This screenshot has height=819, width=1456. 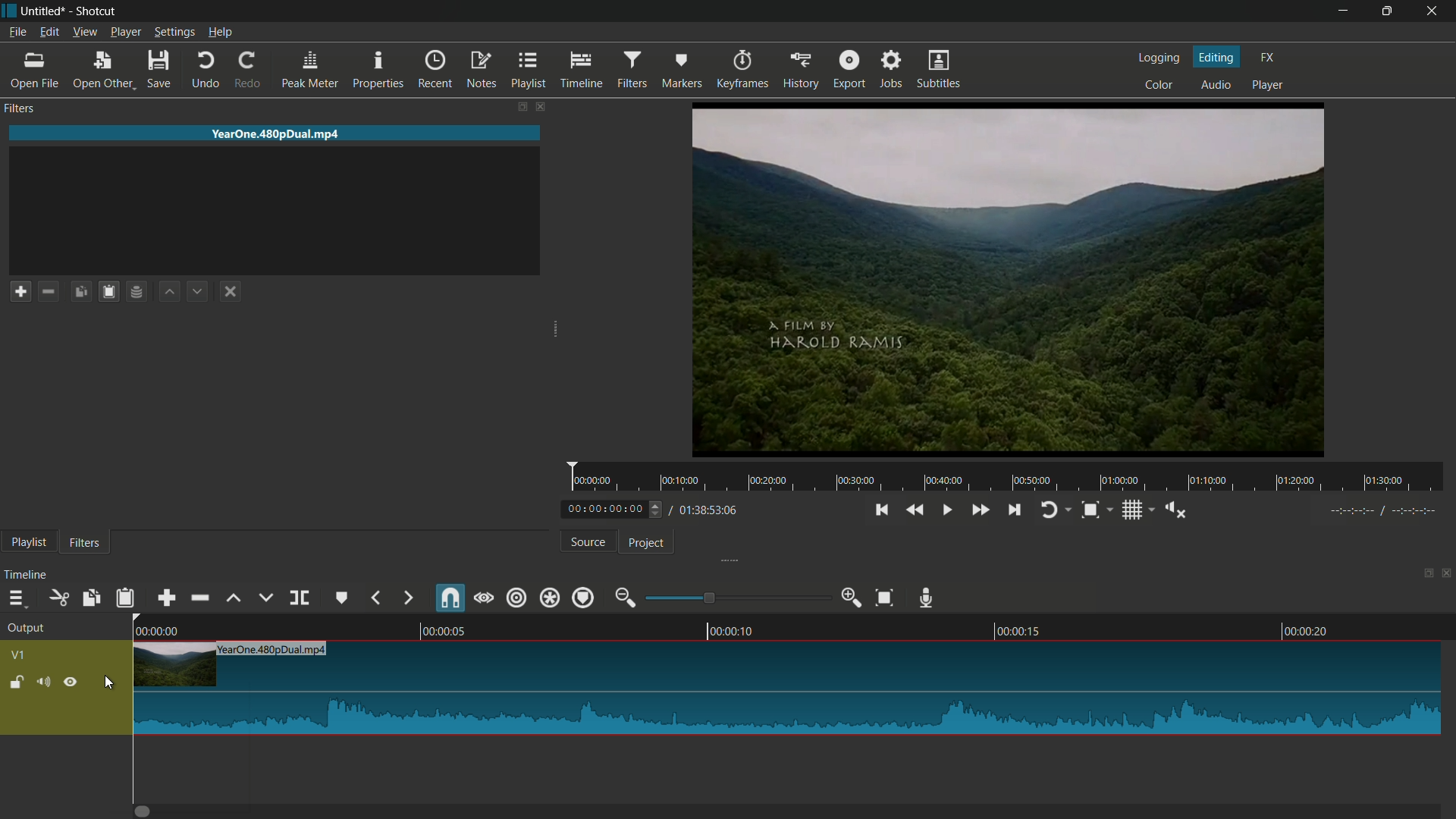 What do you see at coordinates (543, 106) in the screenshot?
I see `close filters` at bounding box center [543, 106].